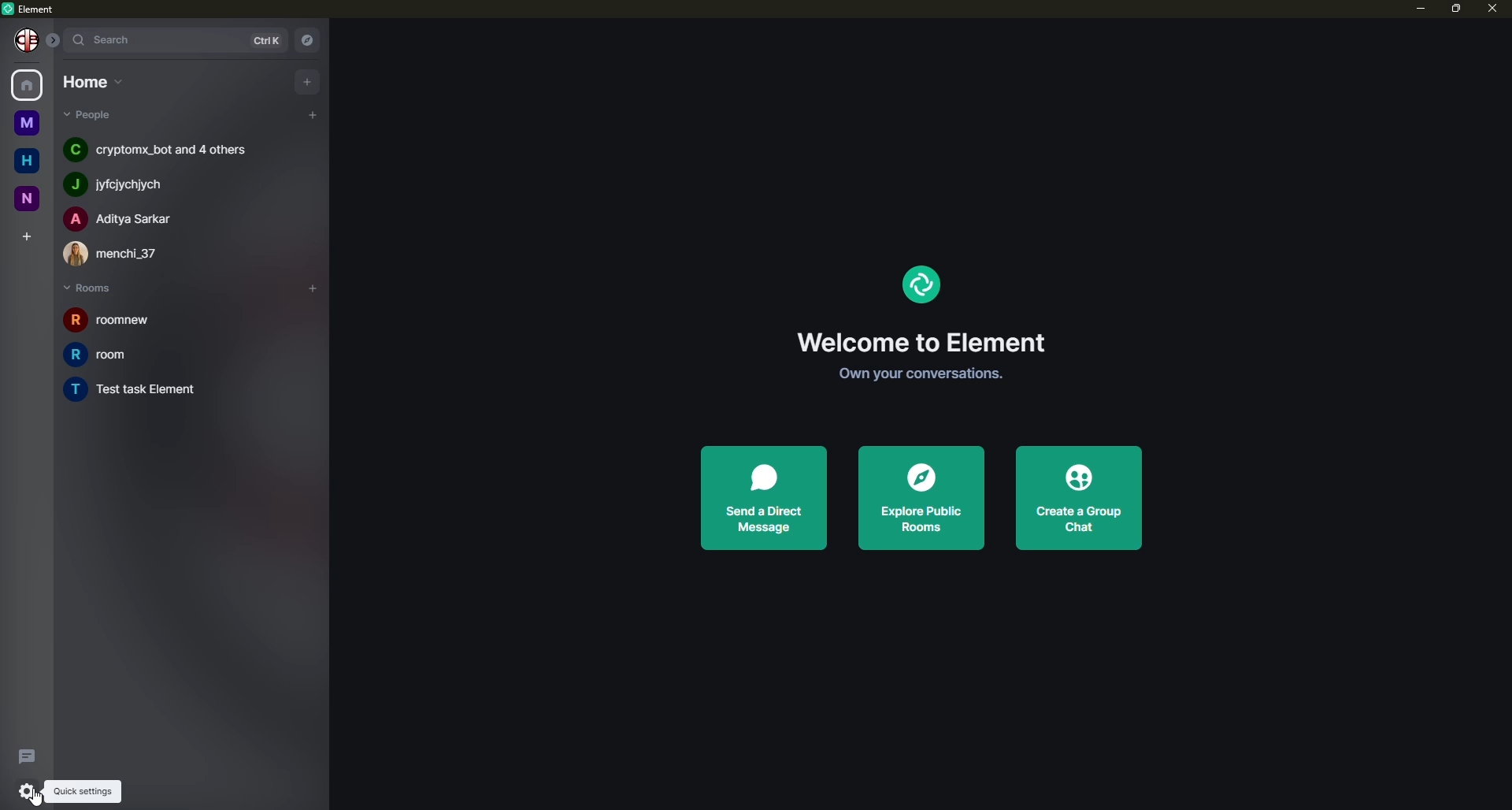 The width and height of the screenshot is (1512, 810). I want to click on home, so click(91, 83).